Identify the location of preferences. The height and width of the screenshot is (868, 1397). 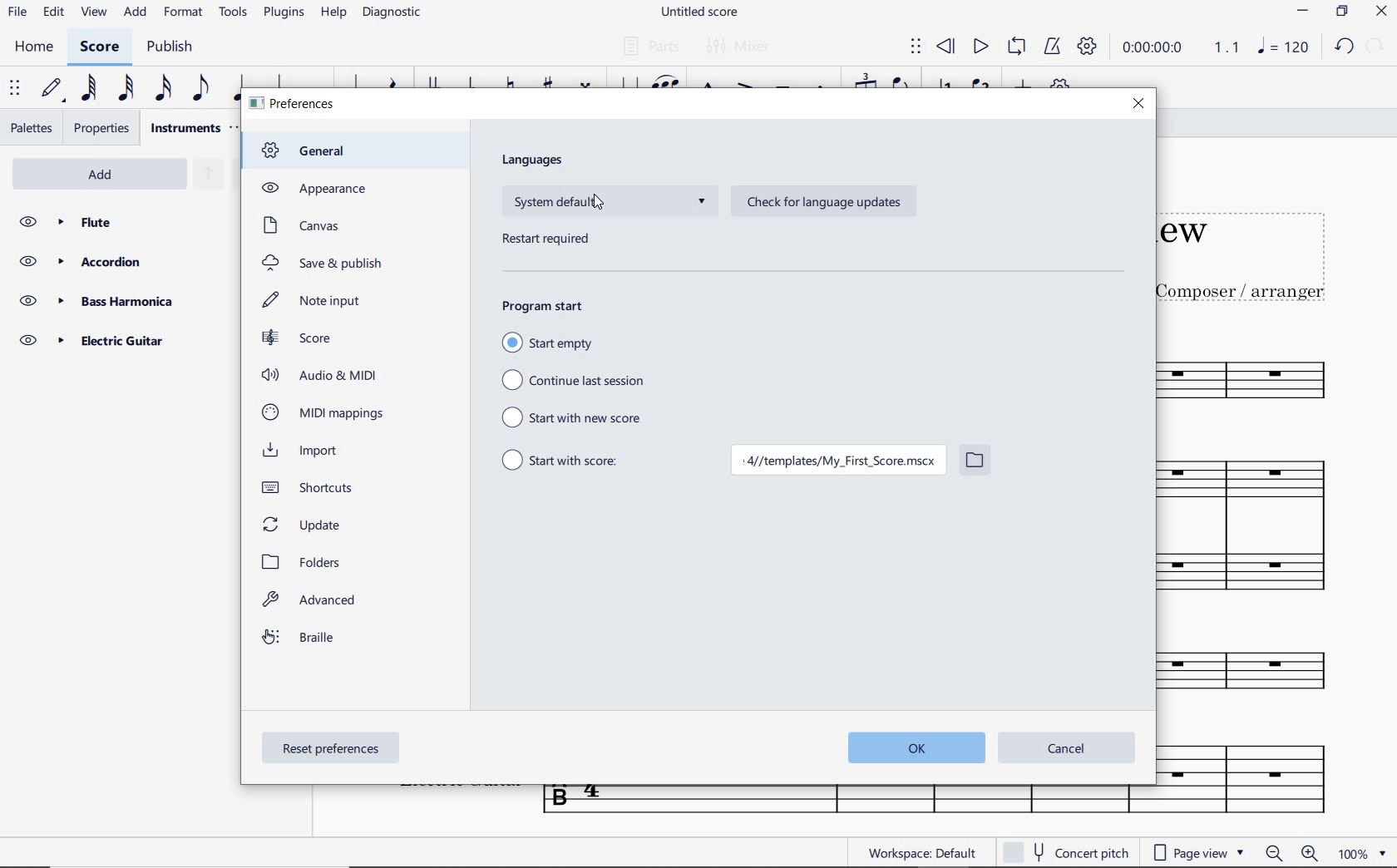
(294, 105).